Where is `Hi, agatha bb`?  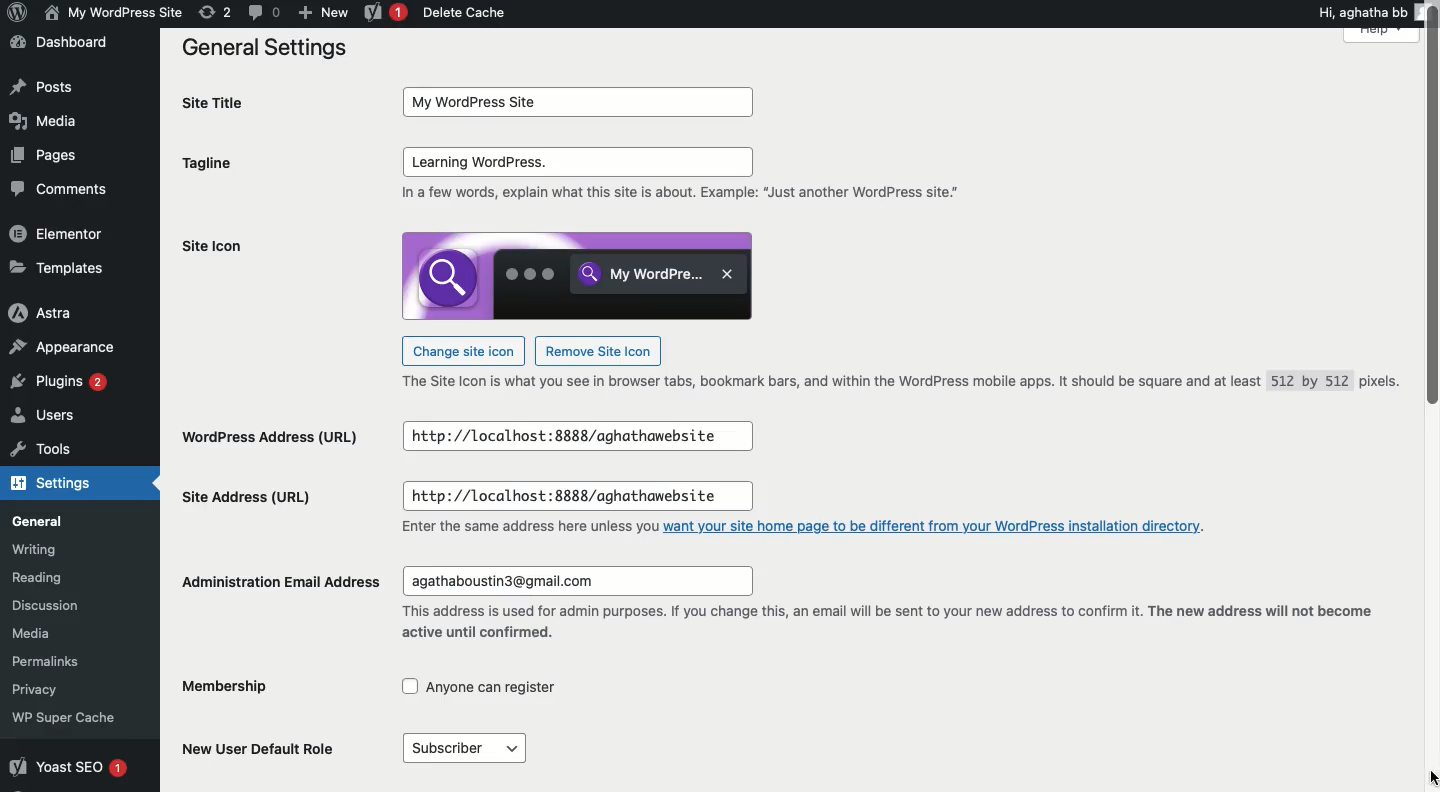 Hi, agatha bb is located at coordinates (1360, 11).